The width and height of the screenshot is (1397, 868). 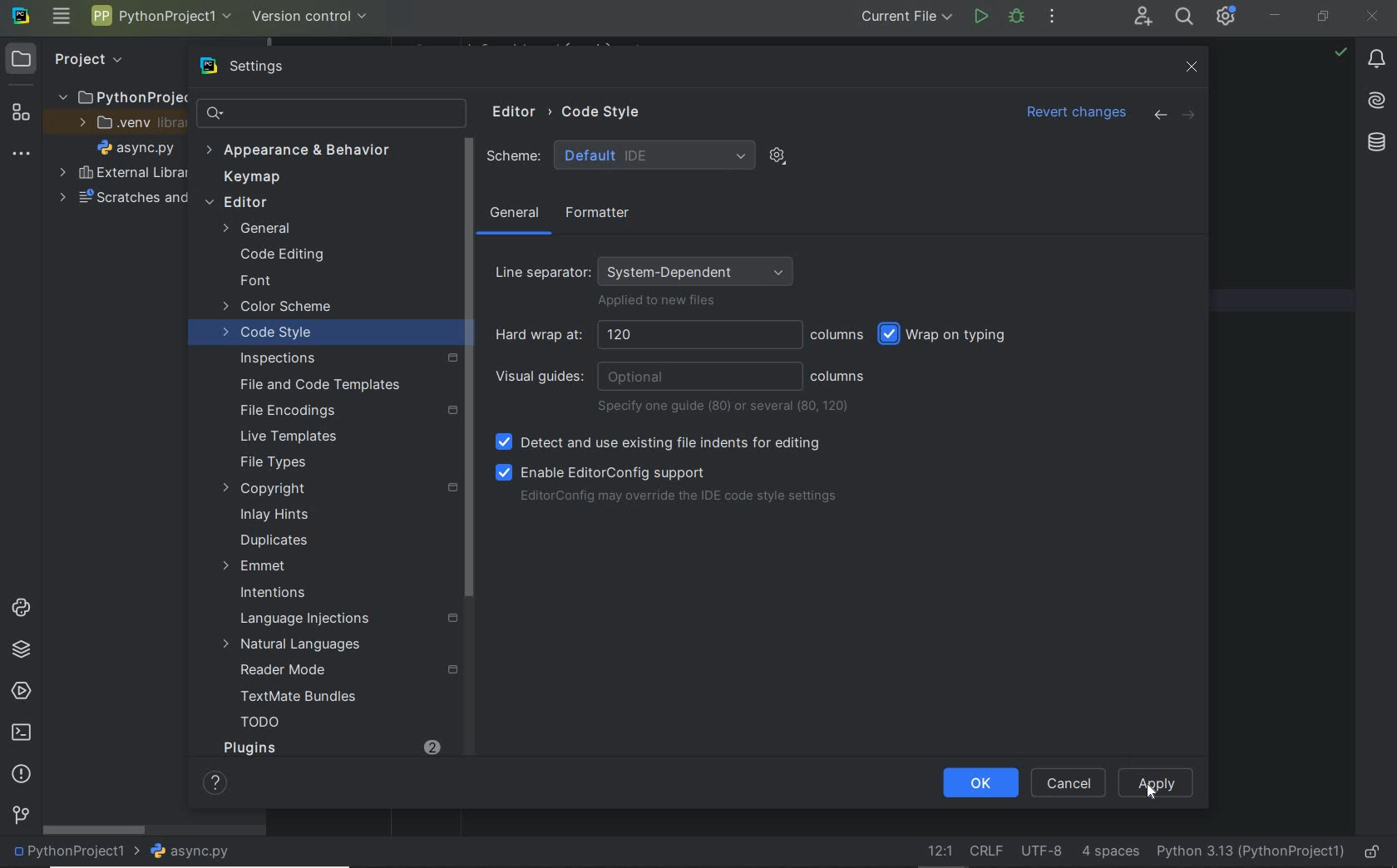 I want to click on Database, so click(x=1376, y=141).